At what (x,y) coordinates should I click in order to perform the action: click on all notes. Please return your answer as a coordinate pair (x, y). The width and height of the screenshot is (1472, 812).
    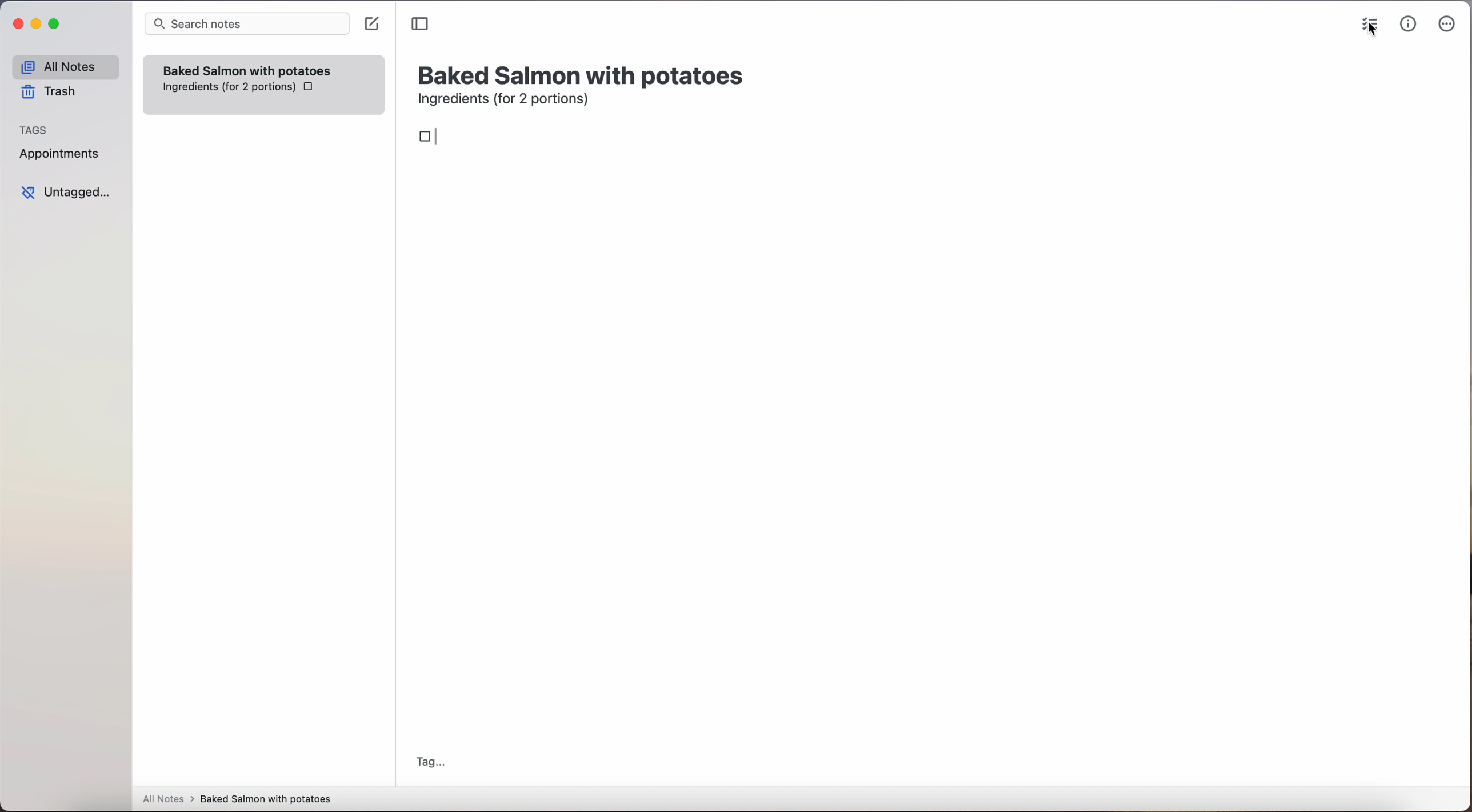
    Looking at the image, I should click on (65, 66).